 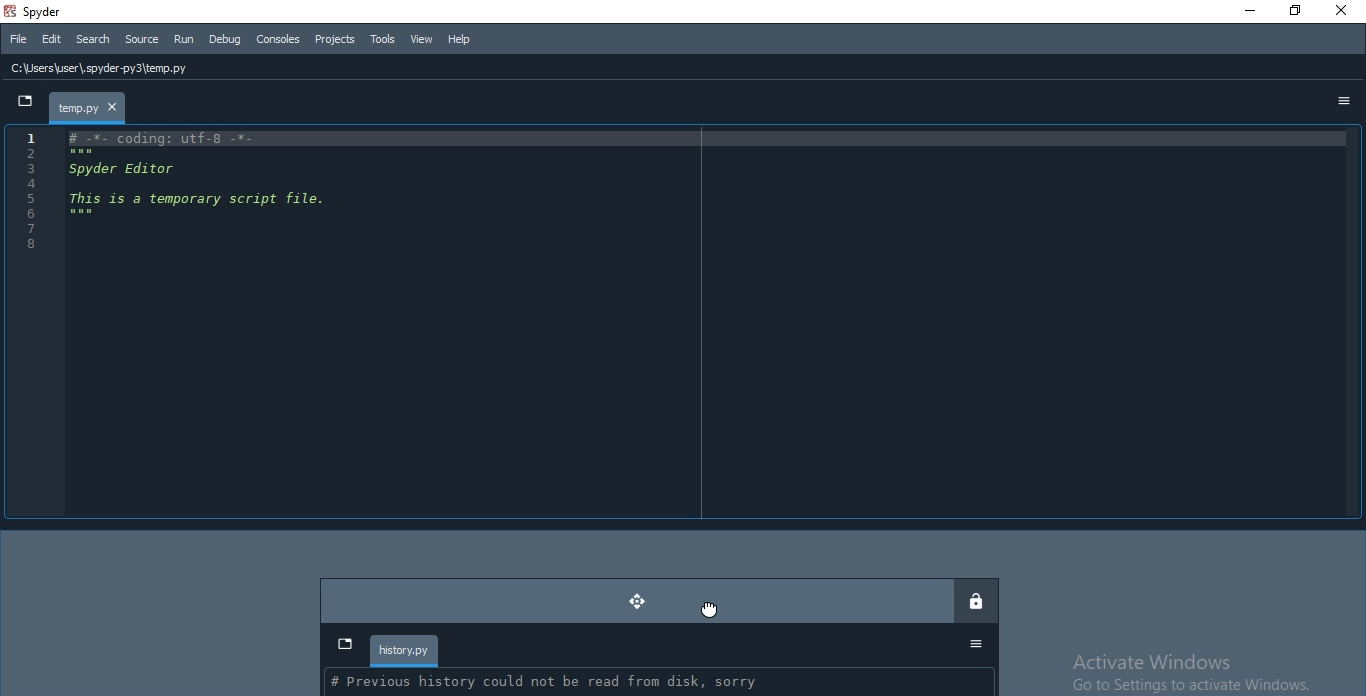 What do you see at coordinates (709, 612) in the screenshot?
I see `cursor` at bounding box center [709, 612].